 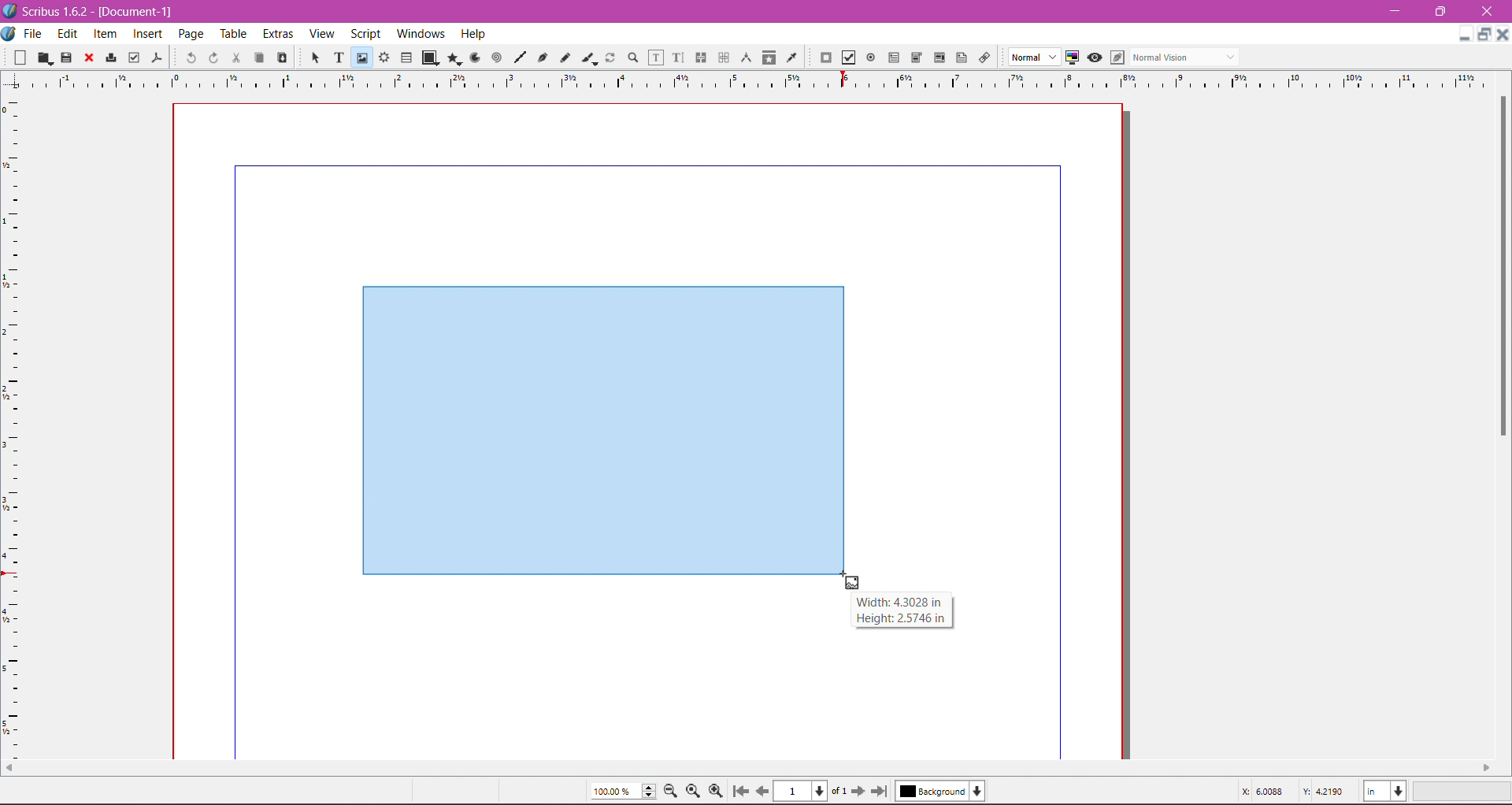 I want to click on Spiral, so click(x=495, y=58).